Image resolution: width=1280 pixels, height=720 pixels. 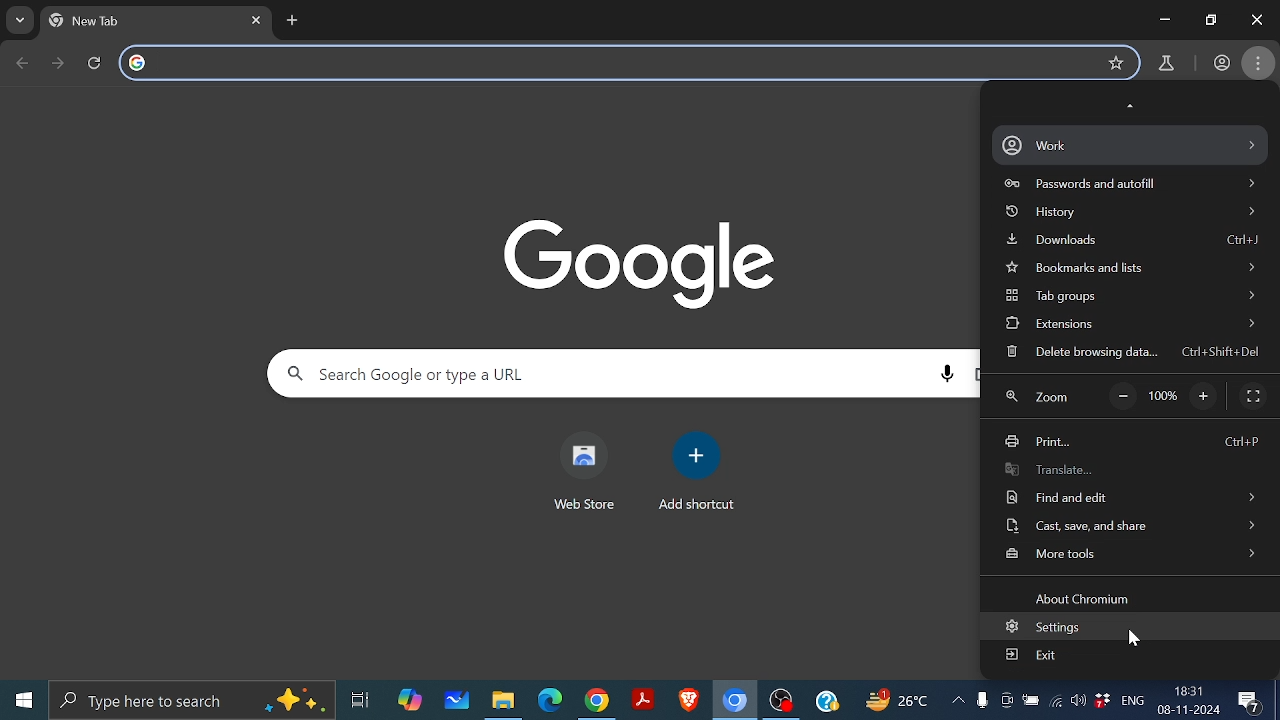 What do you see at coordinates (1189, 699) in the screenshot?
I see `time and date` at bounding box center [1189, 699].